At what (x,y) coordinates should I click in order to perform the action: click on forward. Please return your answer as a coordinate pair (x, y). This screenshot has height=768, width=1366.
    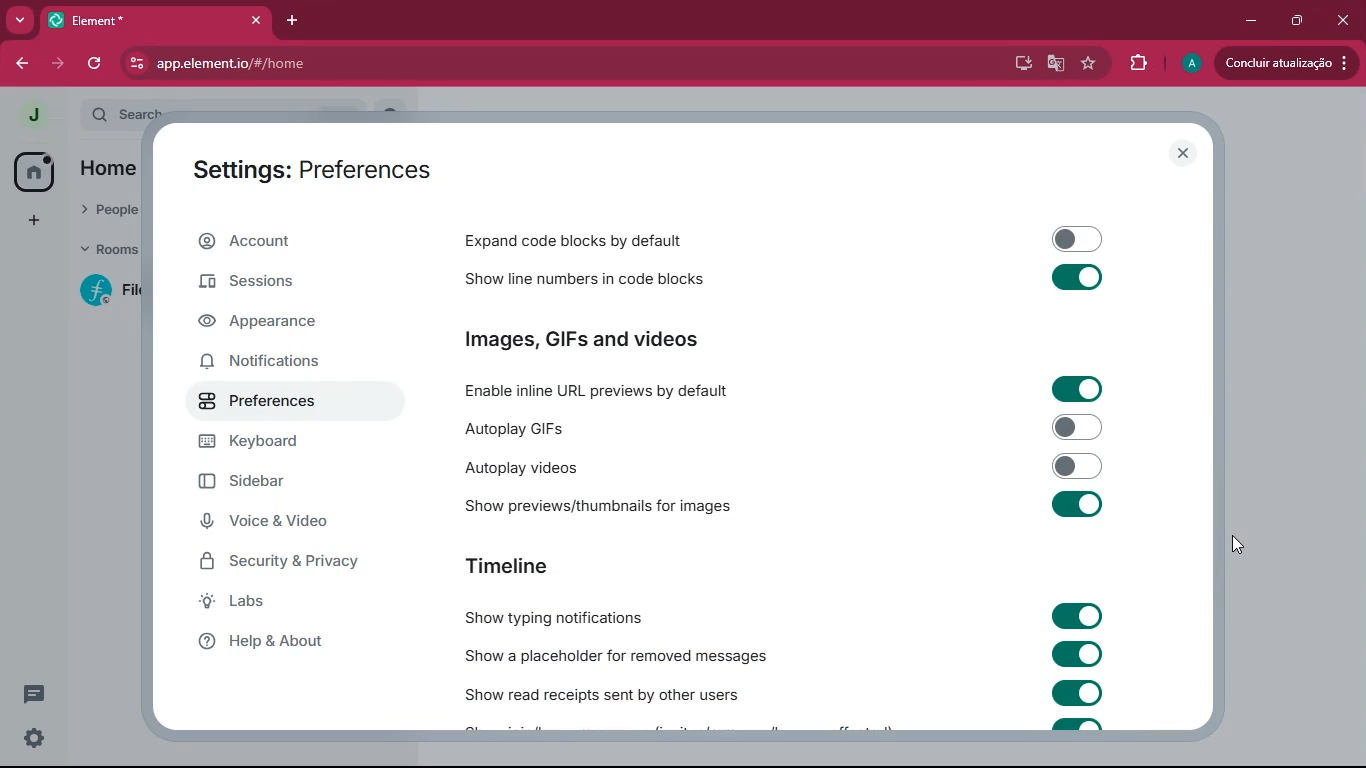
    Looking at the image, I should click on (20, 65).